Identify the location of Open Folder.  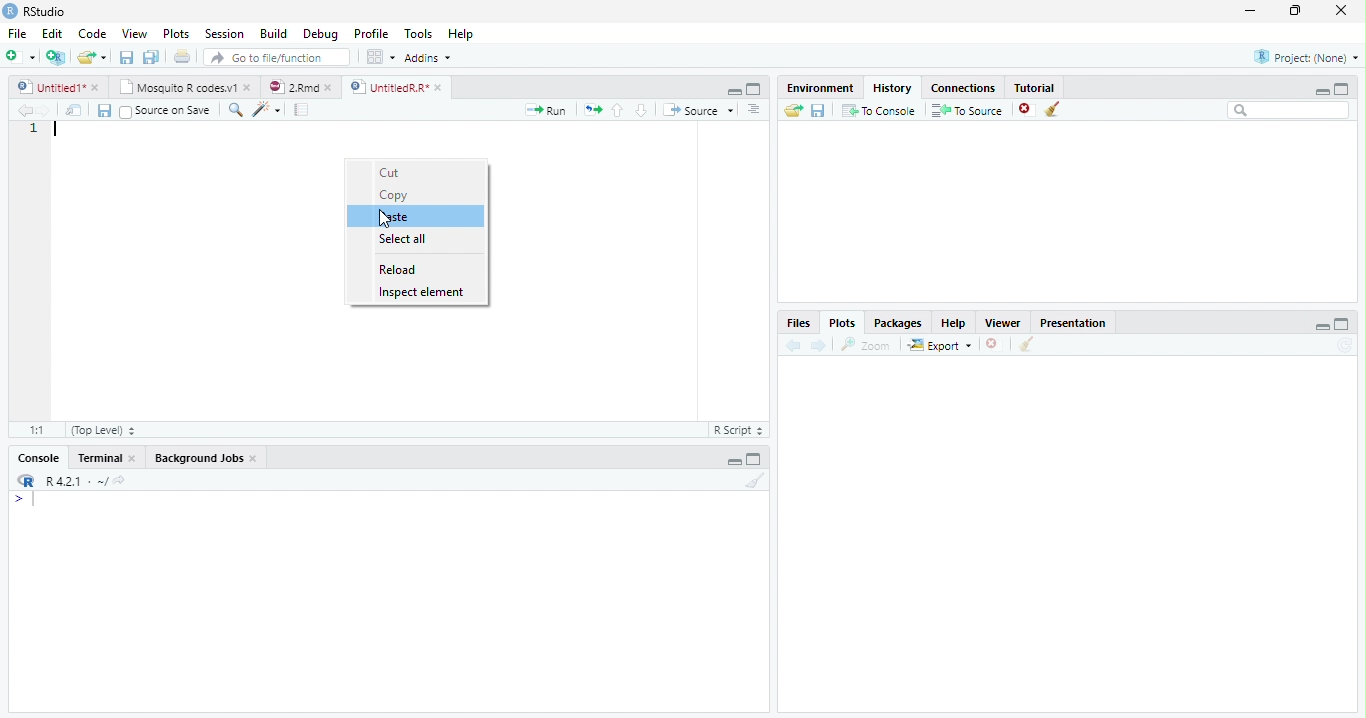
(793, 111).